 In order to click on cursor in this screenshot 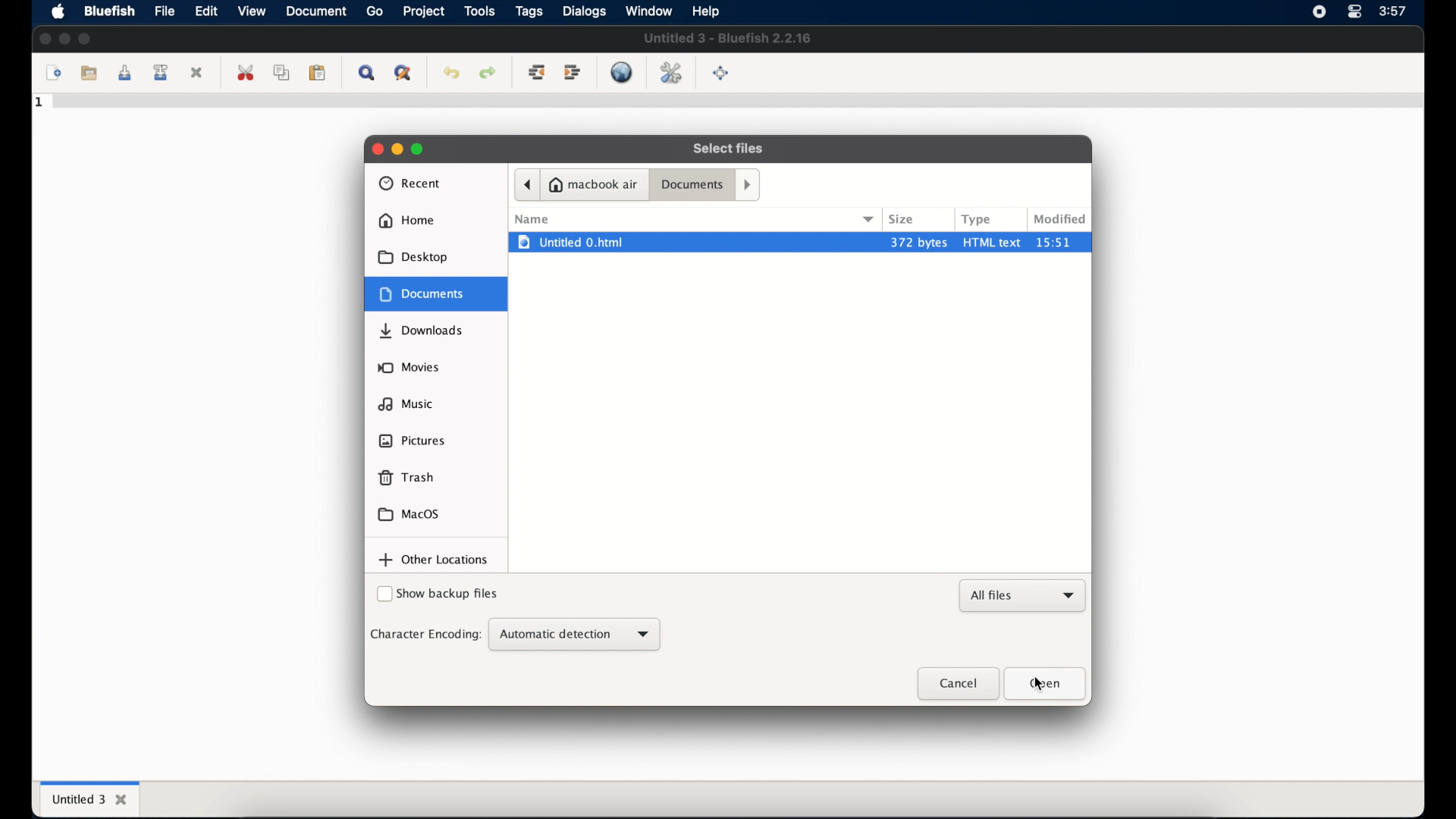, I will do `click(1046, 685)`.